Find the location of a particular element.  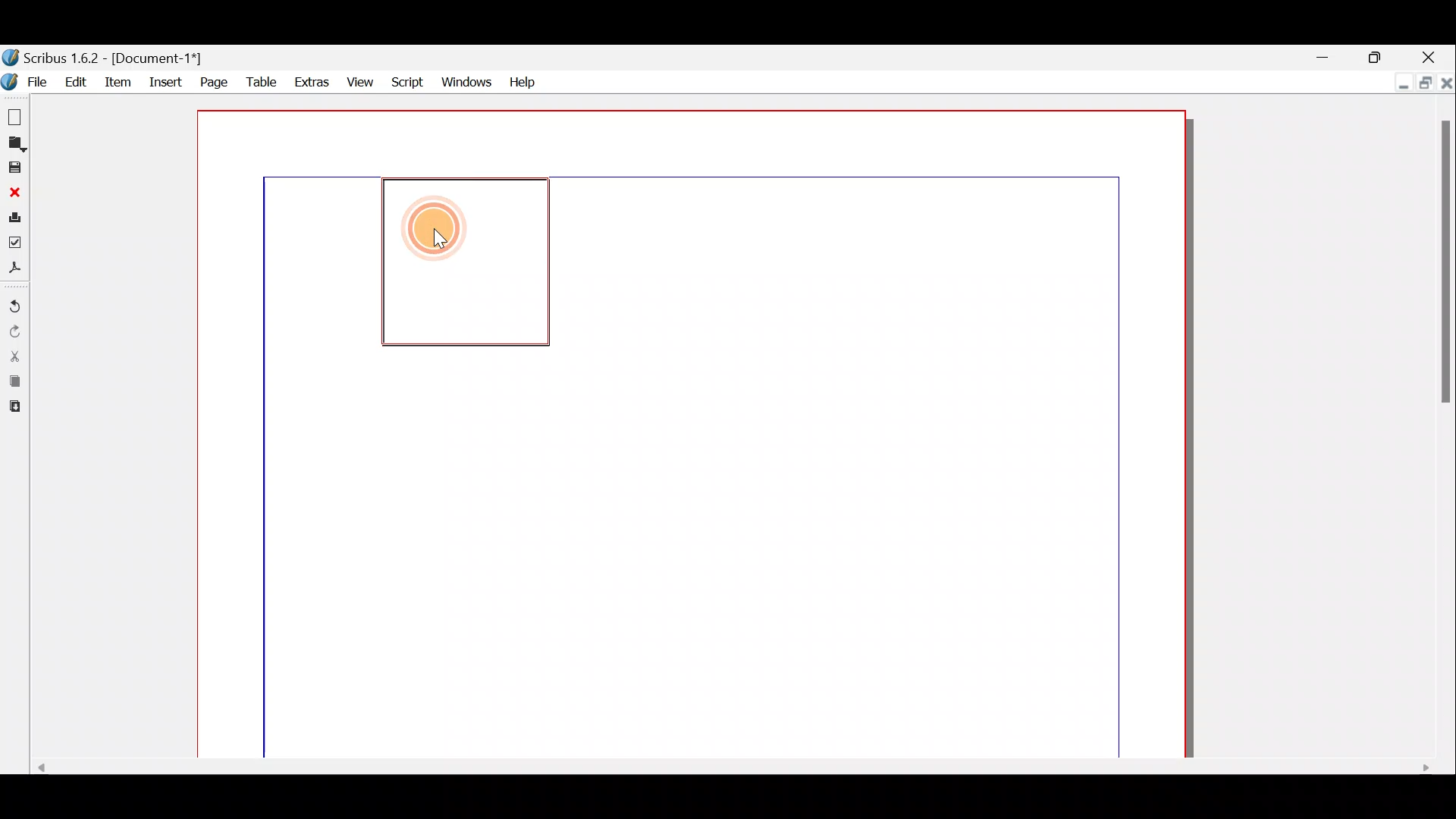

File is located at coordinates (28, 81).